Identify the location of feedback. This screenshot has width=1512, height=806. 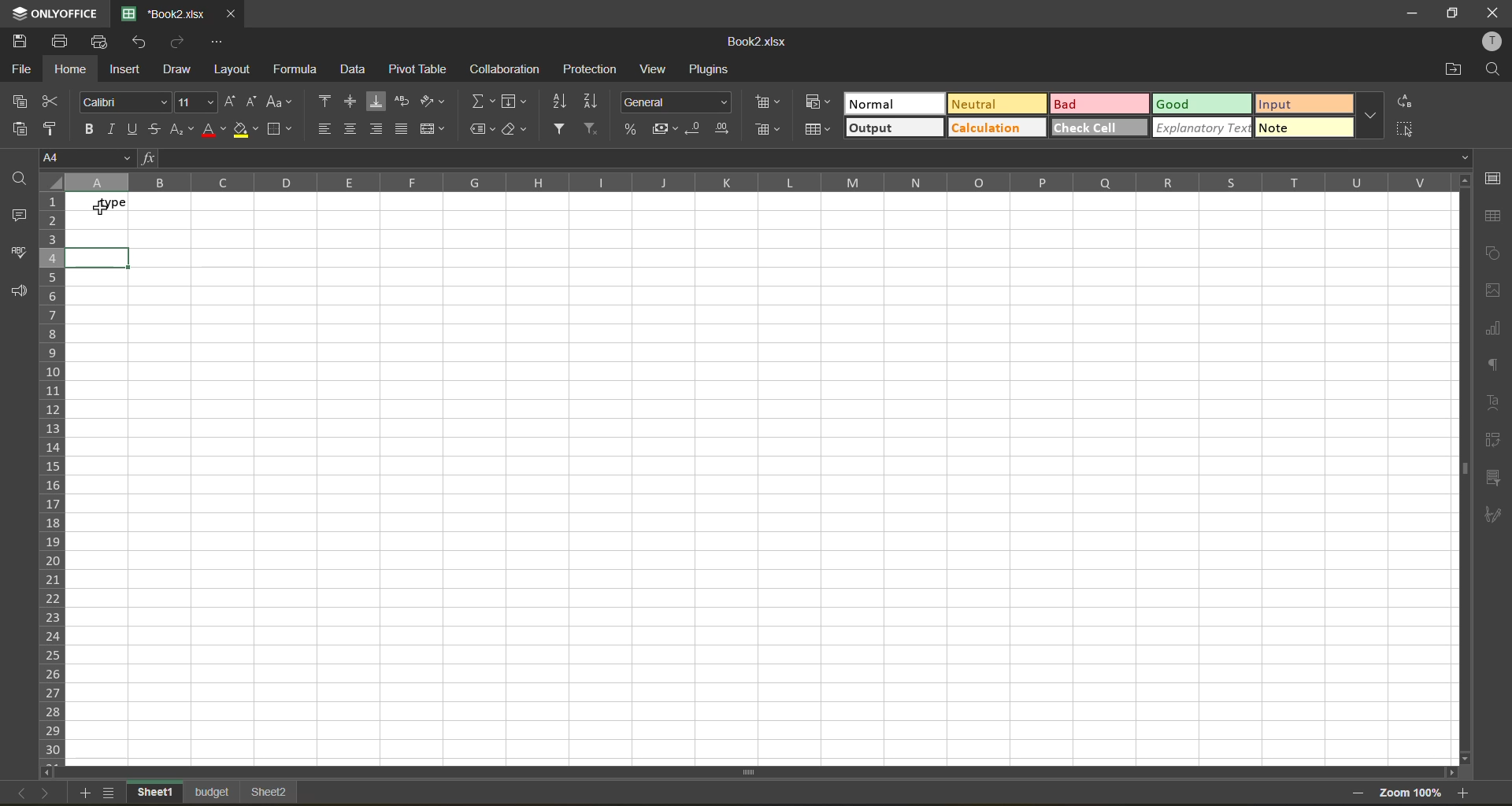
(17, 294).